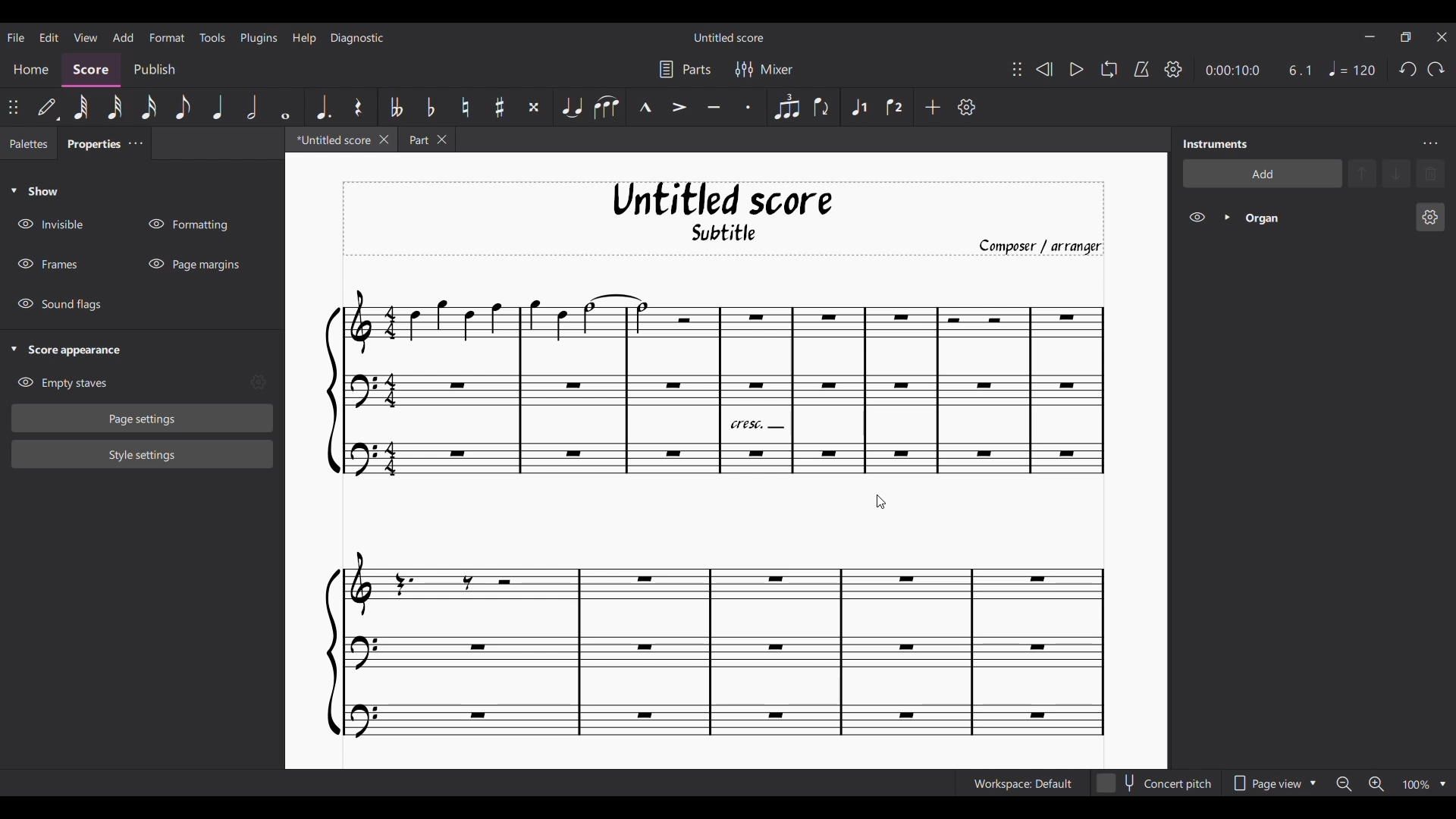  Describe the element at coordinates (684, 69) in the screenshot. I see `Parts settings` at that location.